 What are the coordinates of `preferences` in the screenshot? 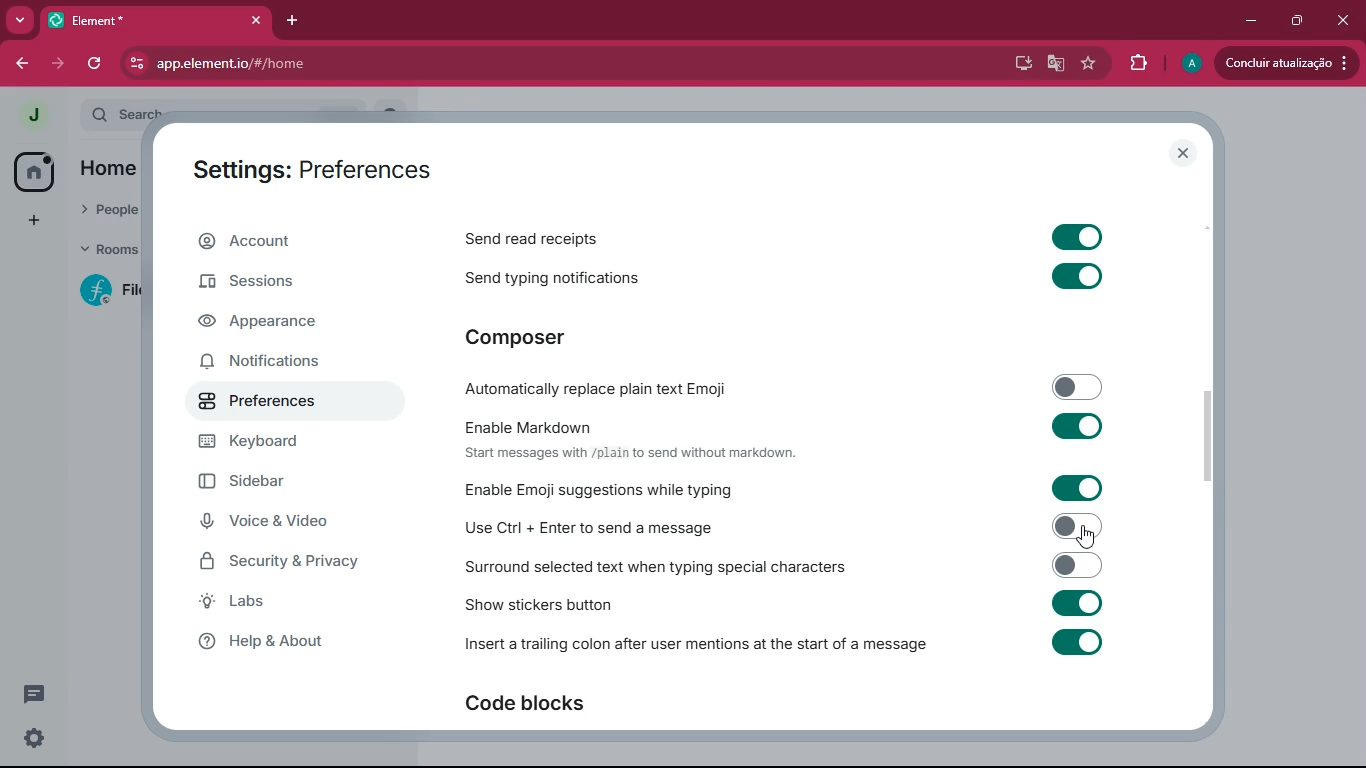 It's located at (274, 406).